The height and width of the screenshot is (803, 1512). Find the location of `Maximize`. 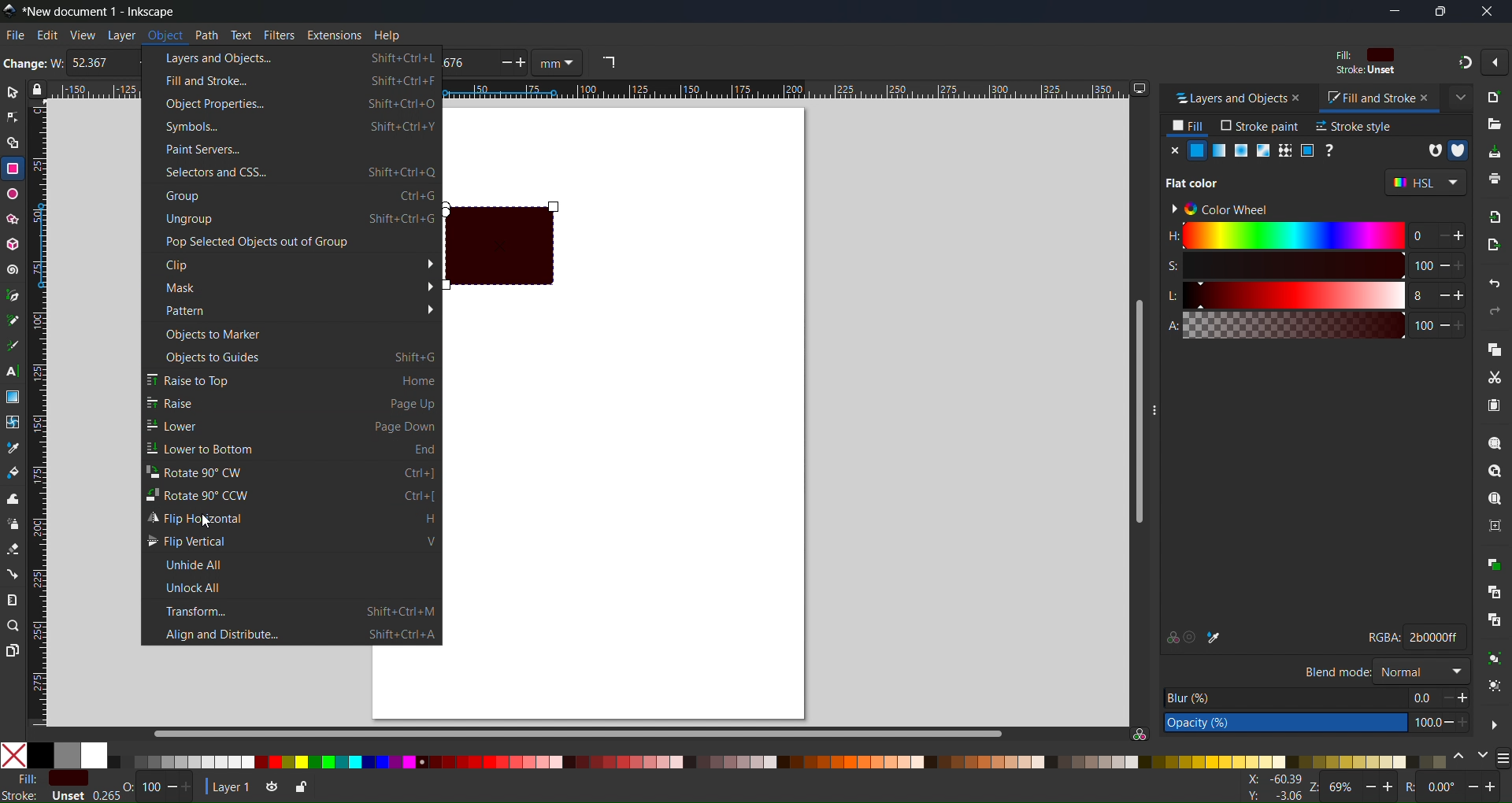

Maximize is located at coordinates (1439, 11).